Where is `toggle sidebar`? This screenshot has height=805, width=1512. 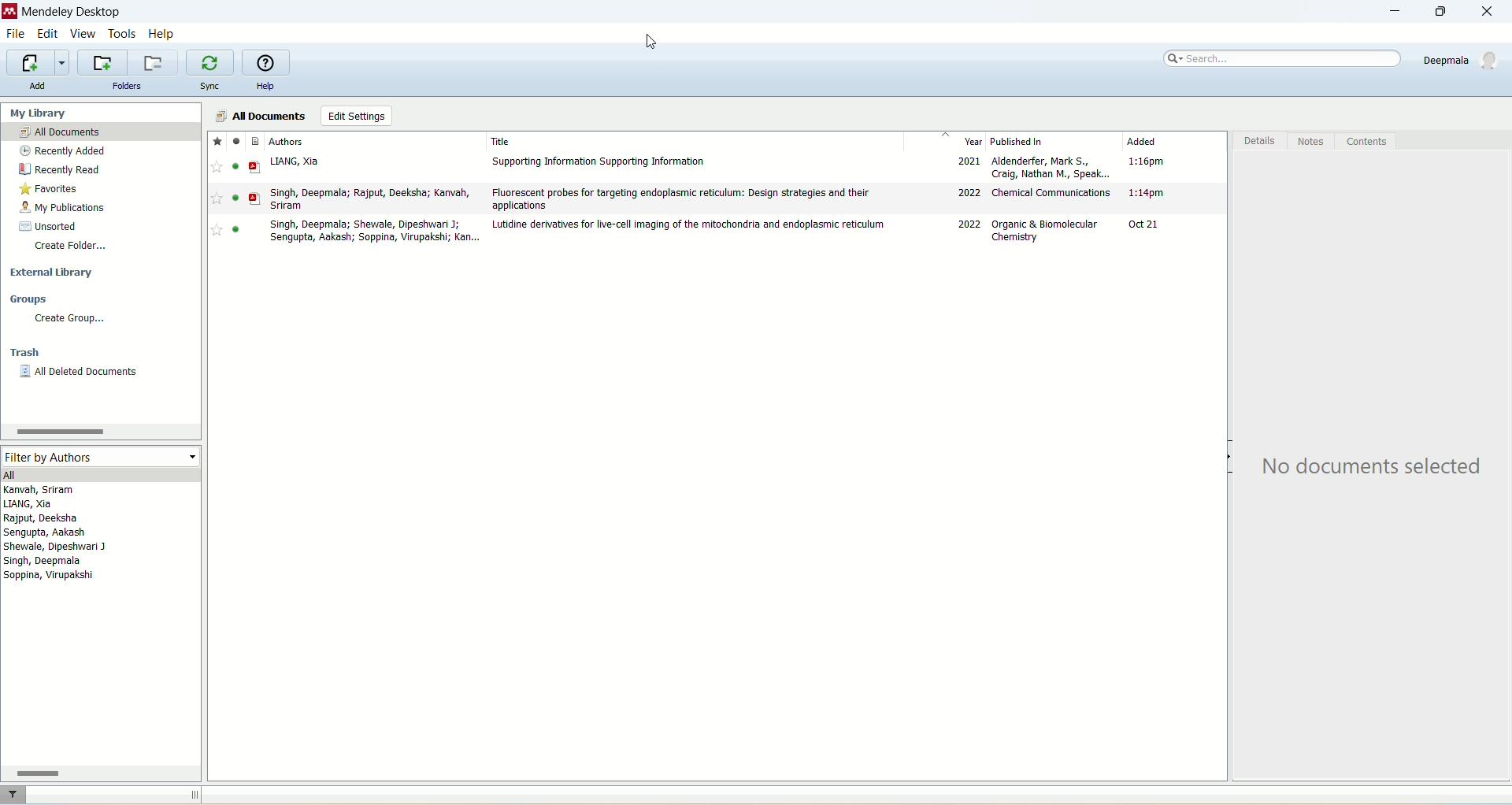
toggle sidebar is located at coordinates (196, 796).